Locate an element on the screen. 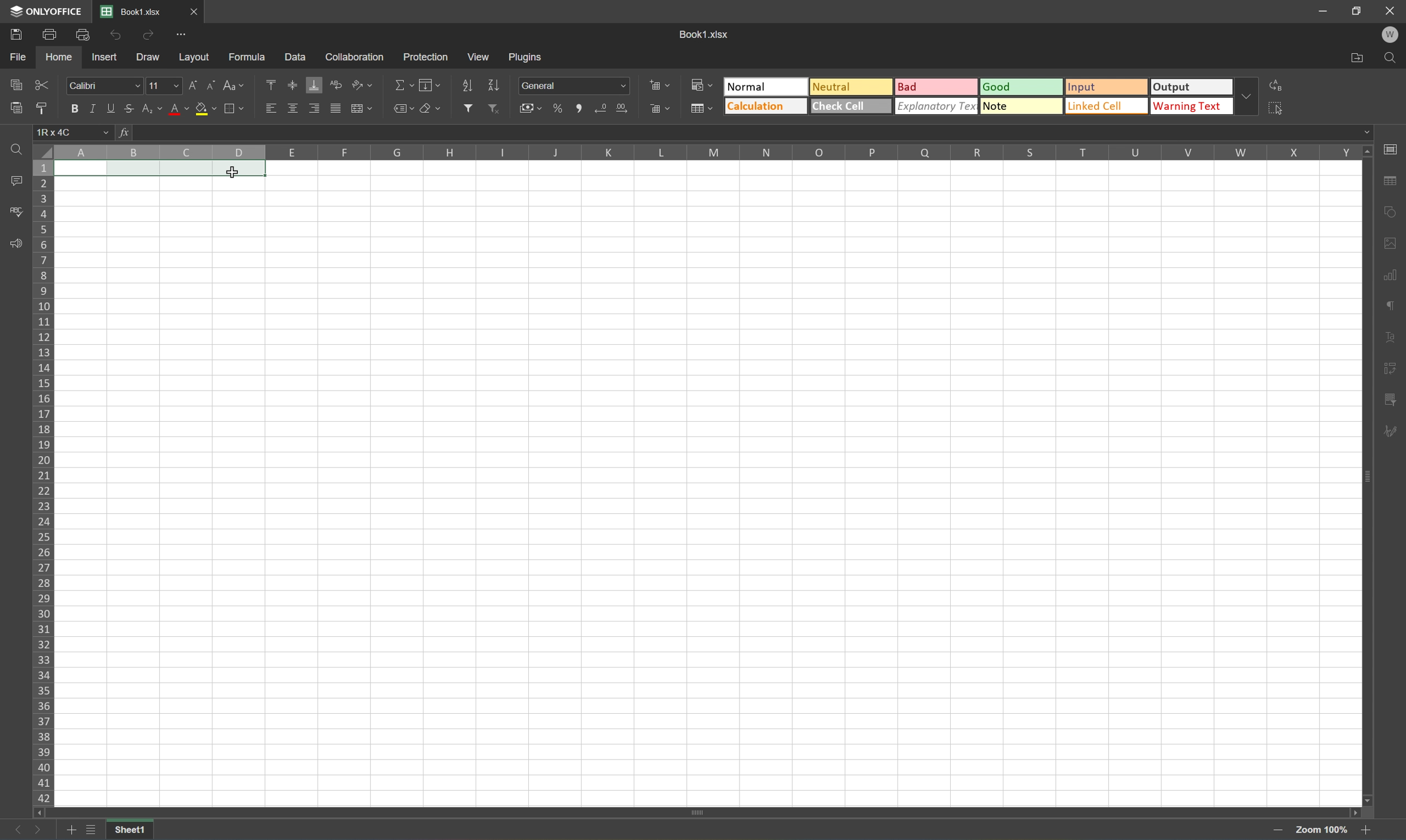 The image size is (1406, 840). Change case is located at coordinates (232, 85).